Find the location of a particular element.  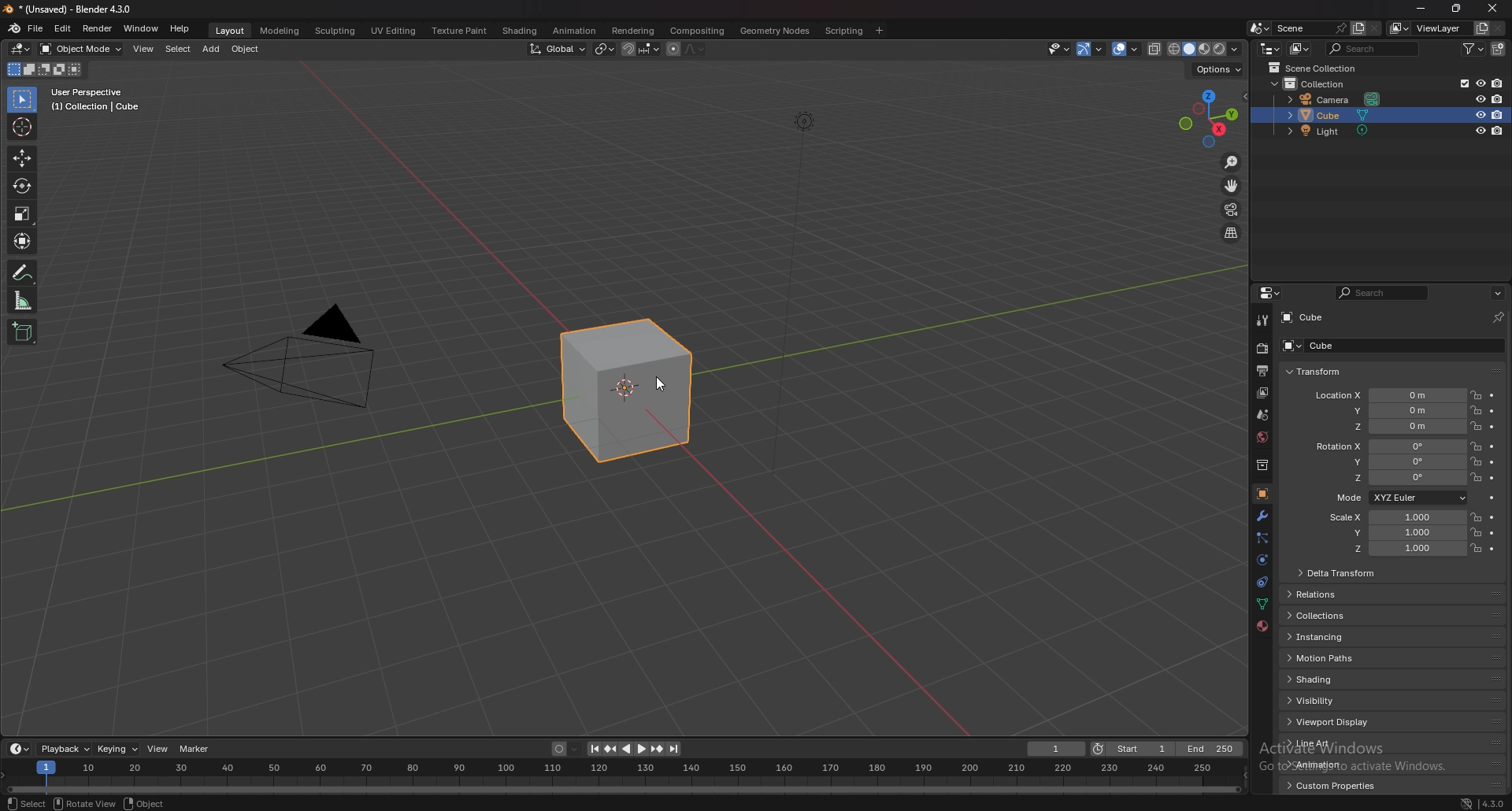

snapping is located at coordinates (641, 49).